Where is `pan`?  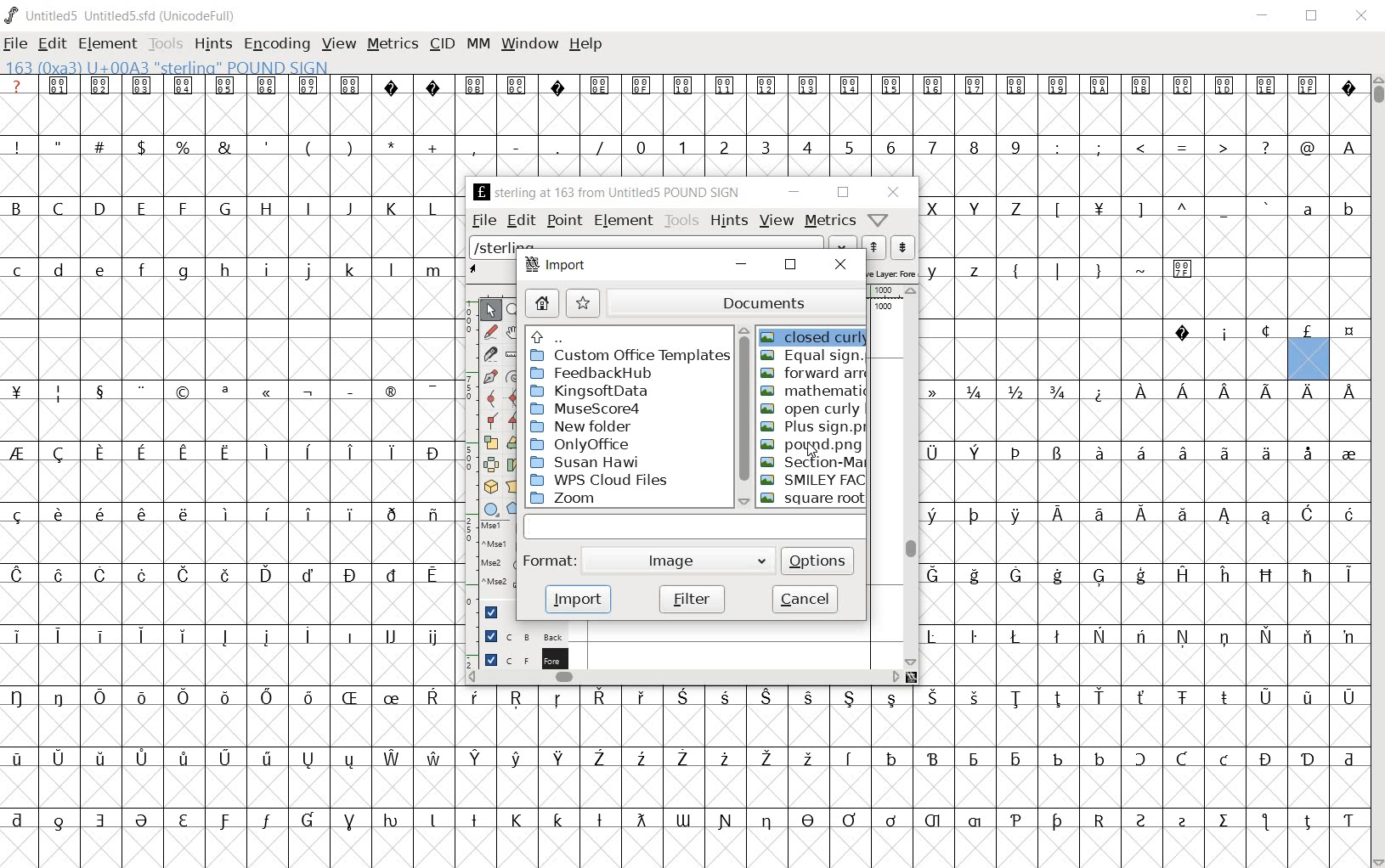 pan is located at coordinates (516, 336).